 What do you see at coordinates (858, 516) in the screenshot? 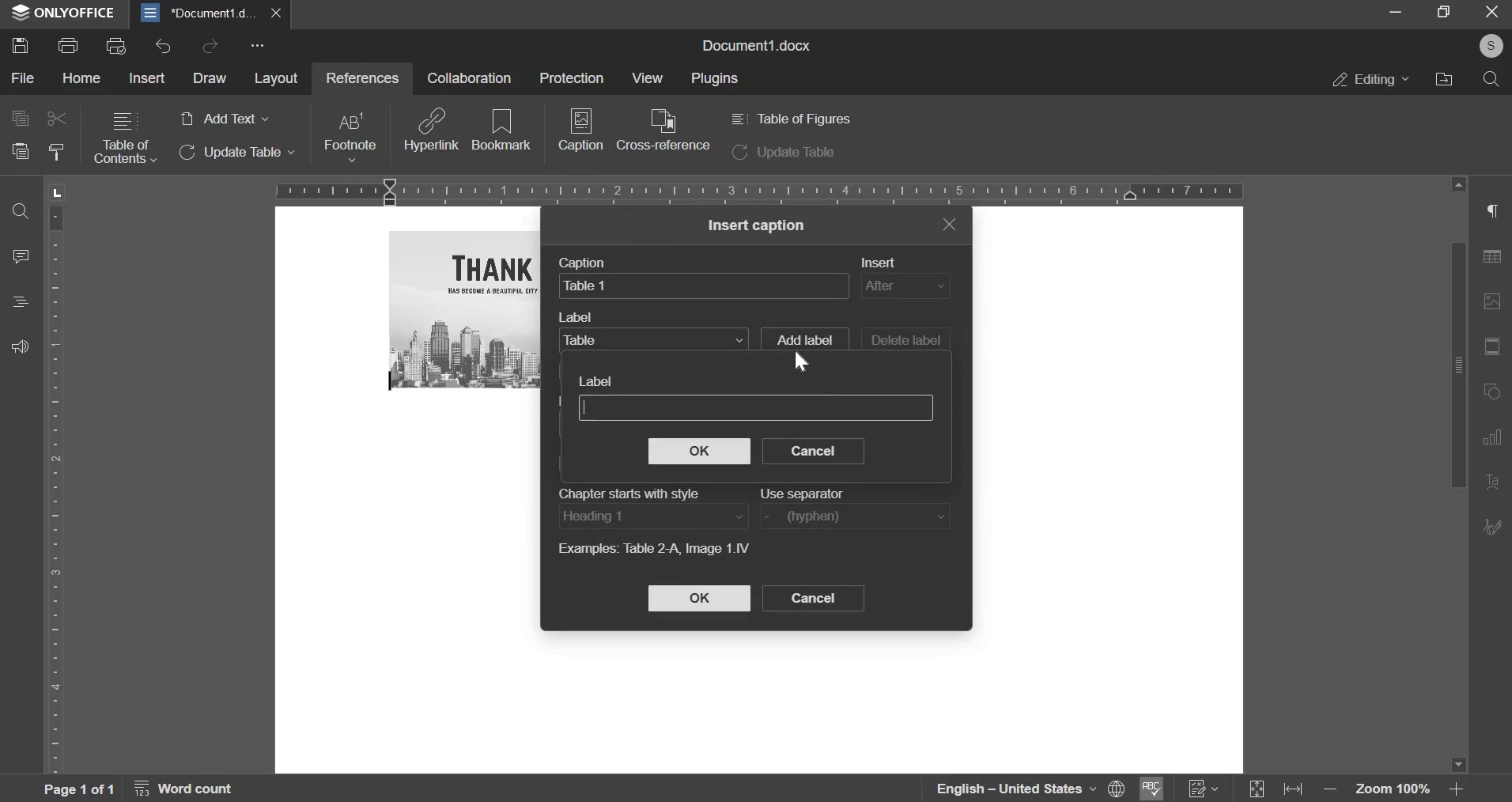
I see `use separator` at bounding box center [858, 516].